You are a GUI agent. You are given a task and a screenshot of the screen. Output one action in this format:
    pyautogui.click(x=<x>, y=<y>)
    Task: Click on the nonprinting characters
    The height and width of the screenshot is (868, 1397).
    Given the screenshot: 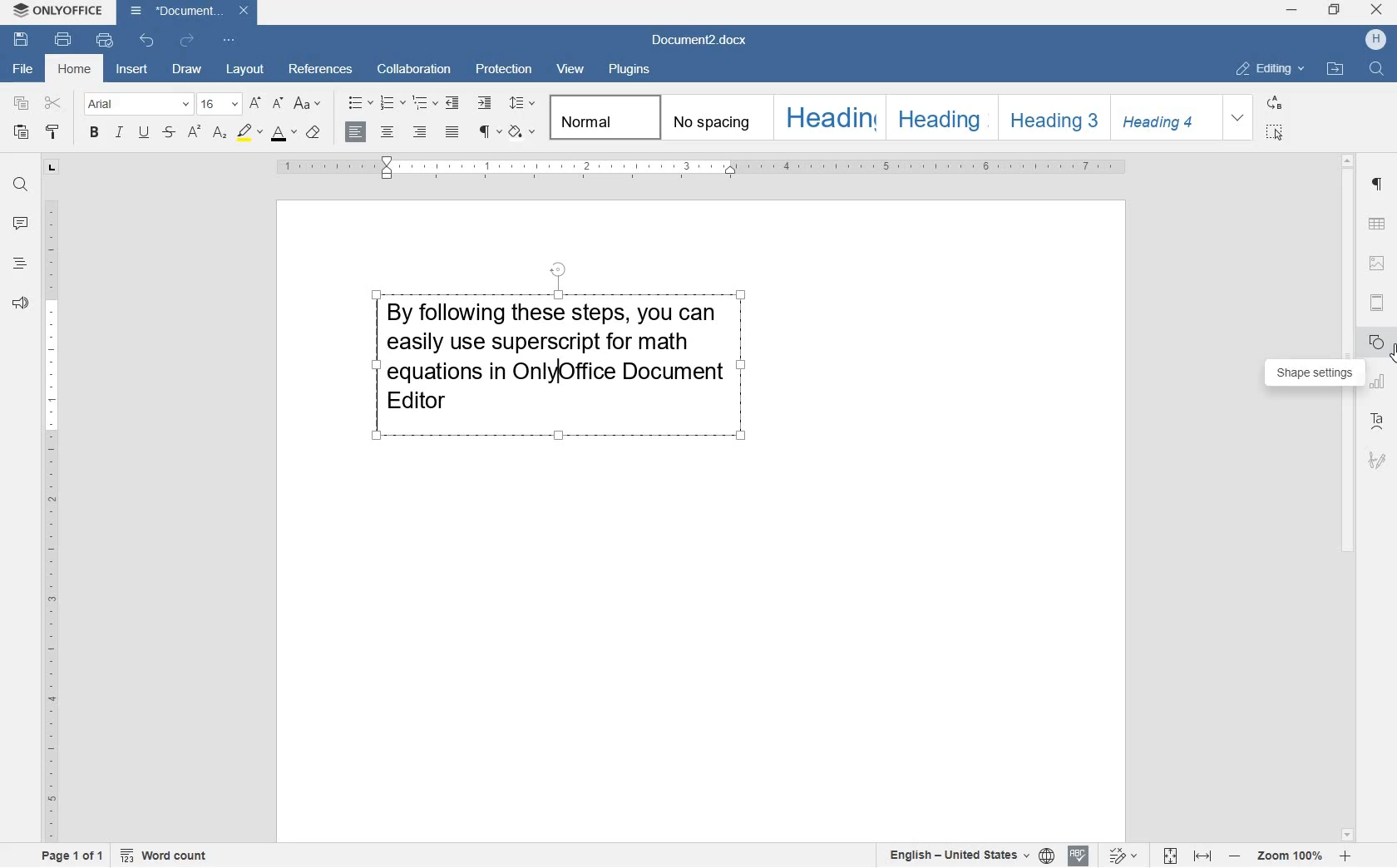 What is the action you would take?
    pyautogui.click(x=489, y=131)
    